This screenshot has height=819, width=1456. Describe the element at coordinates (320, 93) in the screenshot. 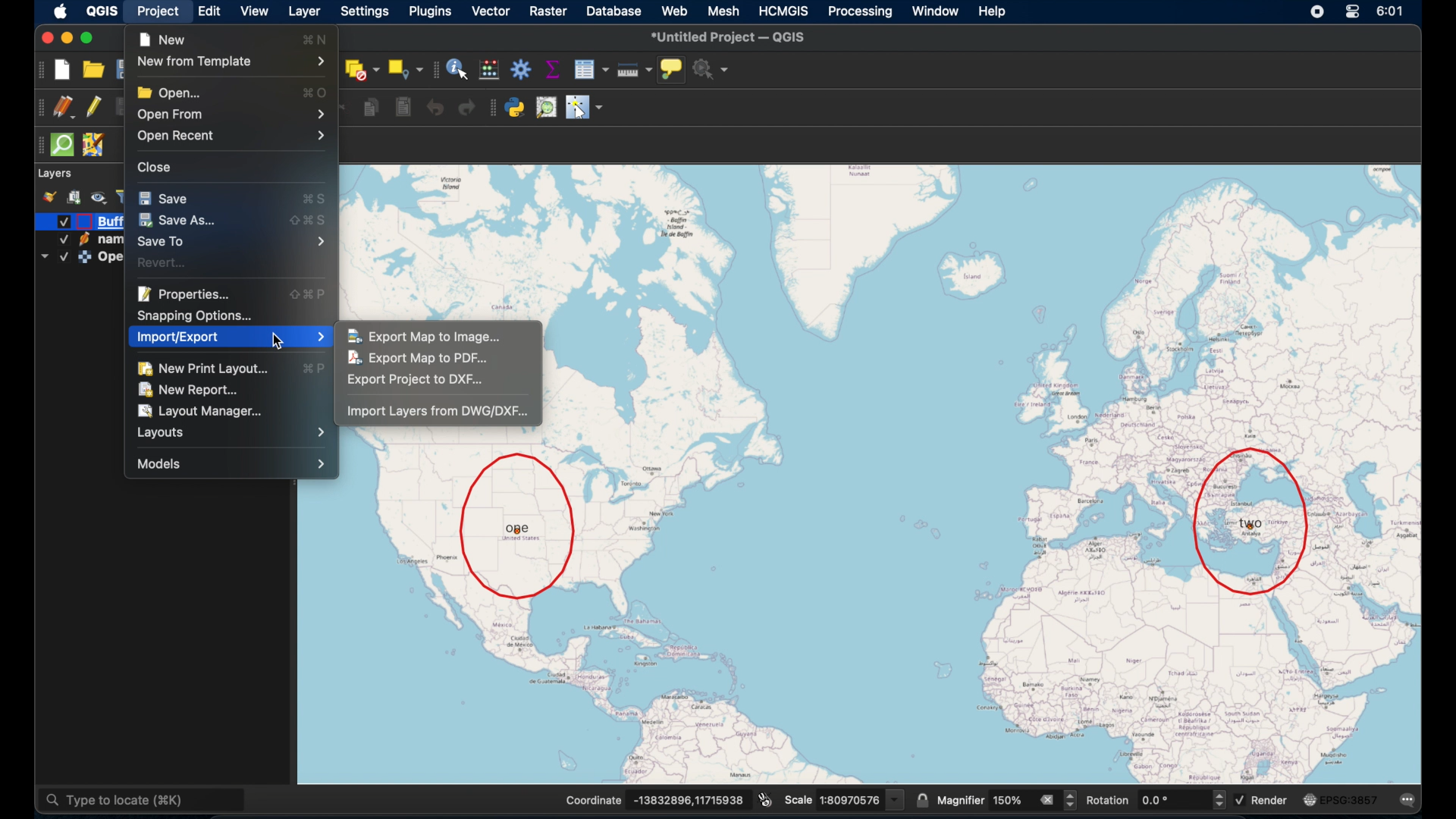

I see `comand O` at that location.